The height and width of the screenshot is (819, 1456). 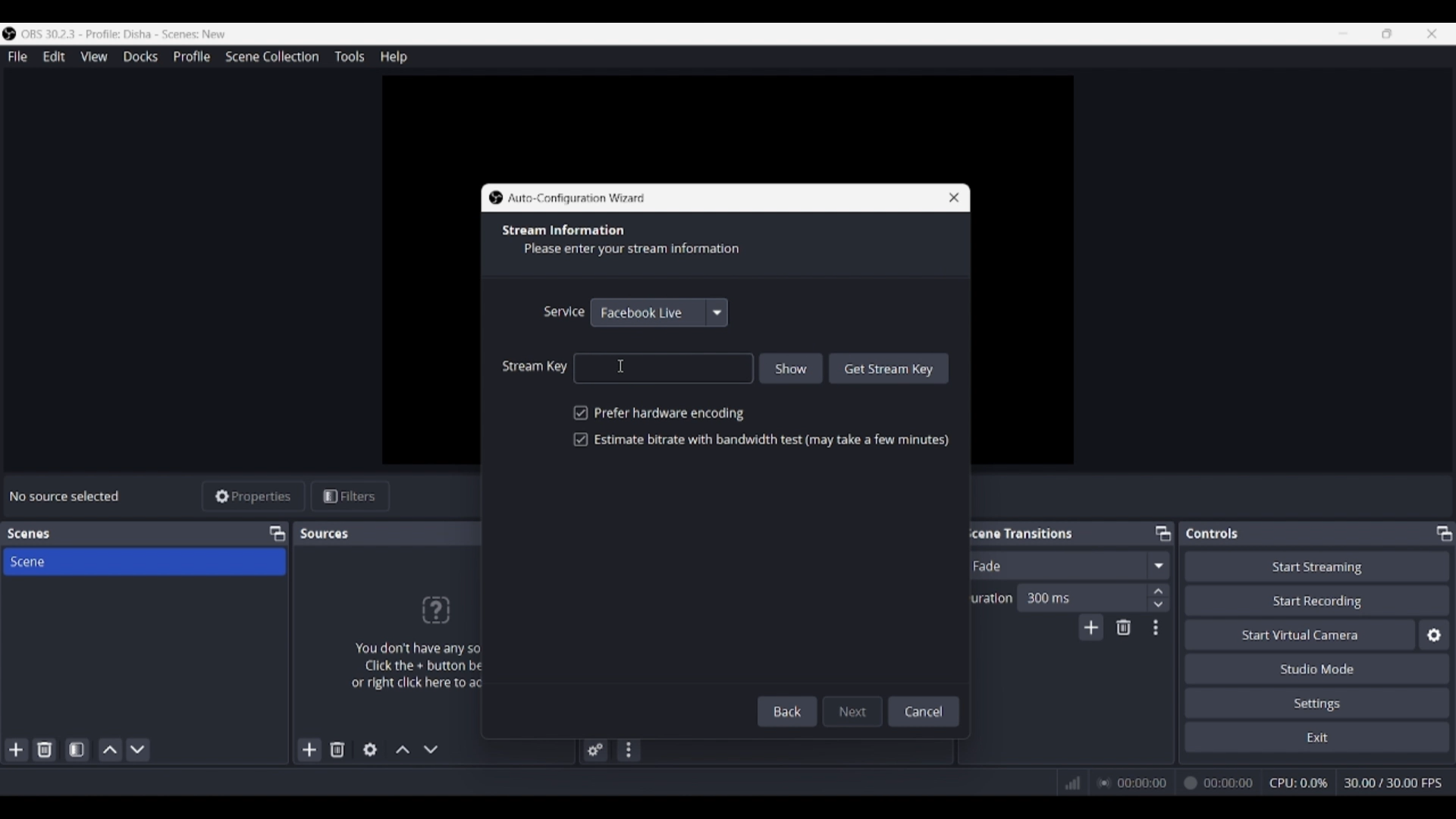 What do you see at coordinates (642, 312) in the screenshot?
I see `Choosen service option` at bounding box center [642, 312].